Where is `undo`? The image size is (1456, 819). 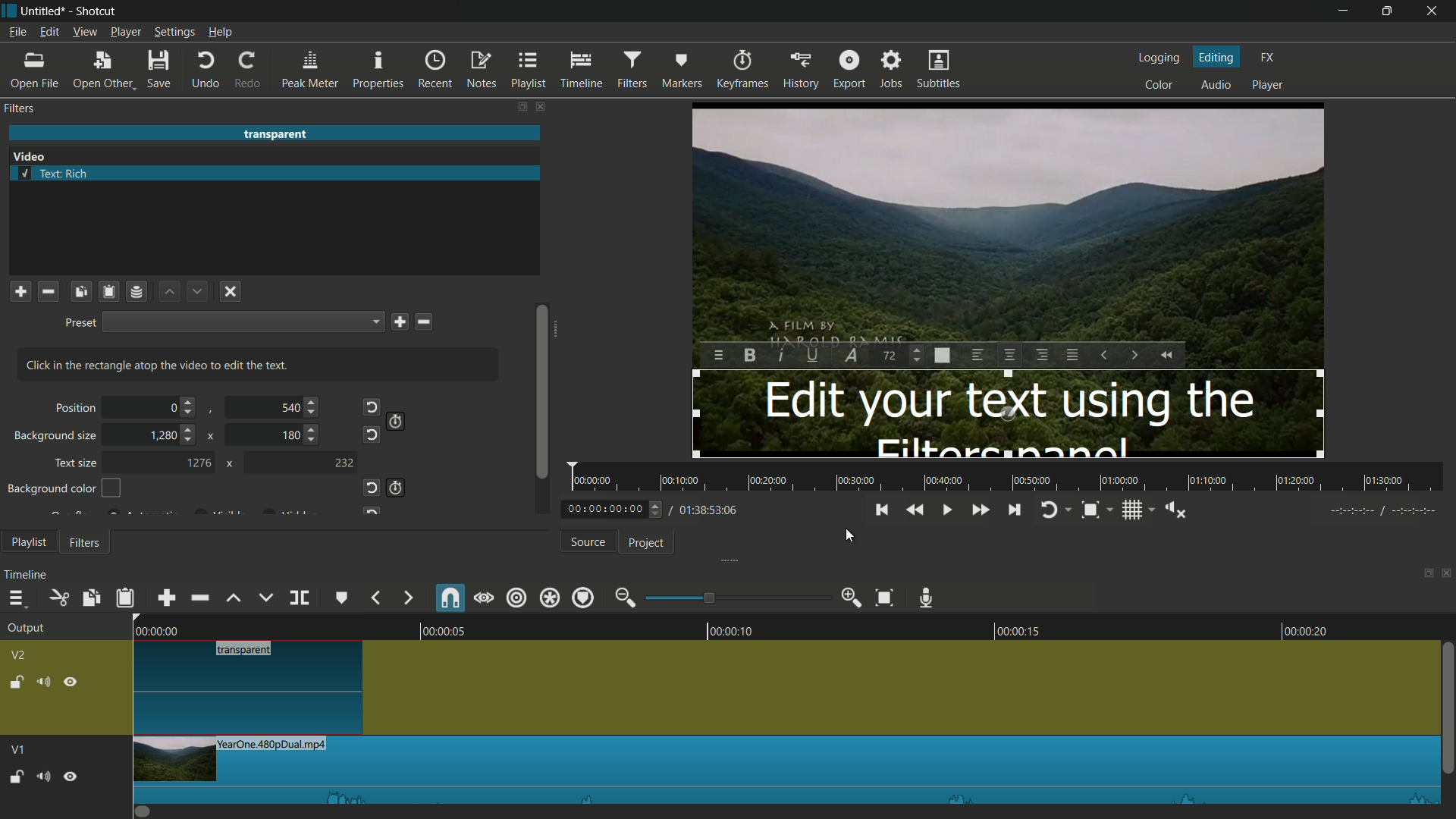 undo is located at coordinates (206, 71).